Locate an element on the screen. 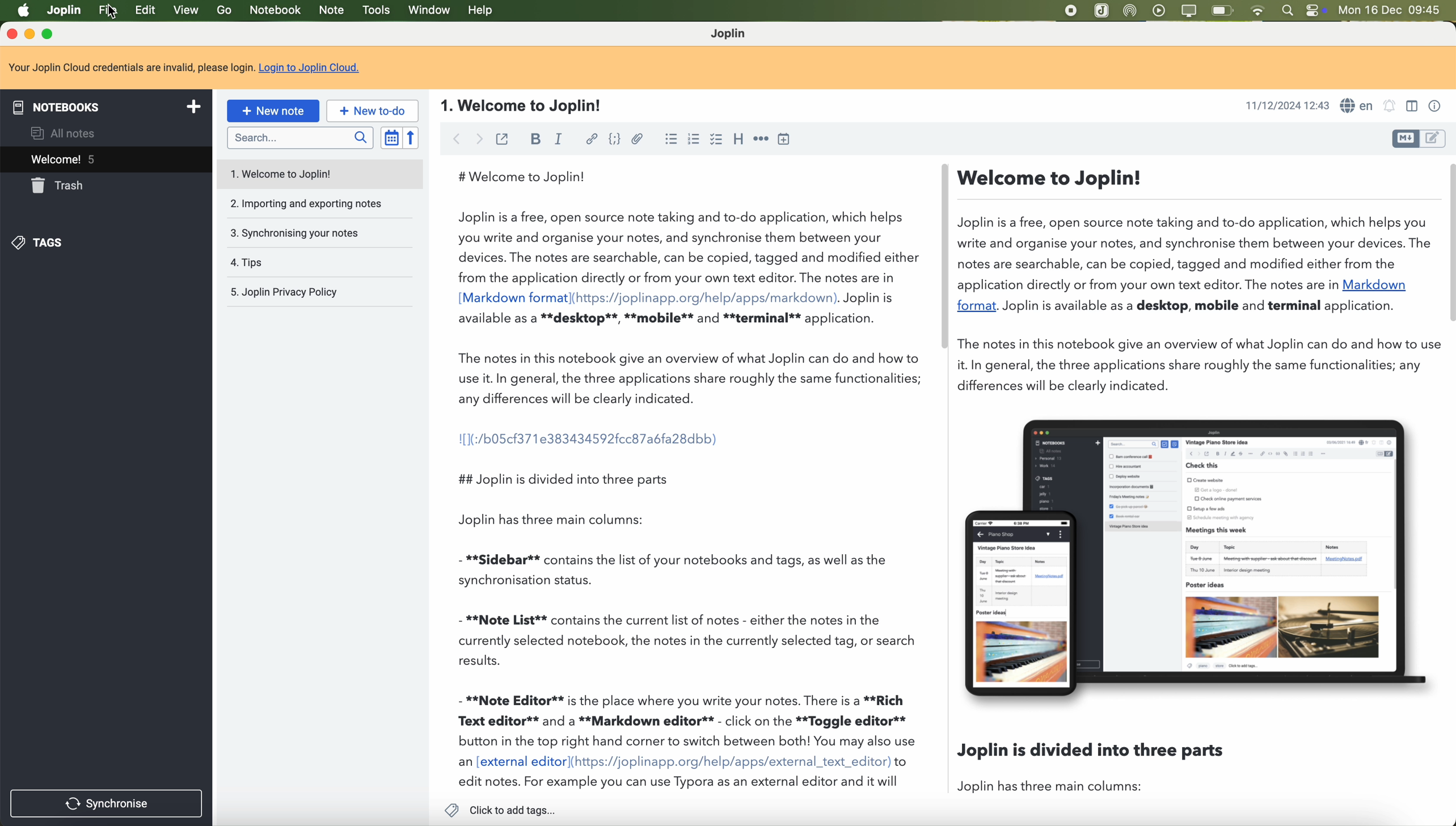 The image size is (1456, 826). trash is located at coordinates (60, 186).